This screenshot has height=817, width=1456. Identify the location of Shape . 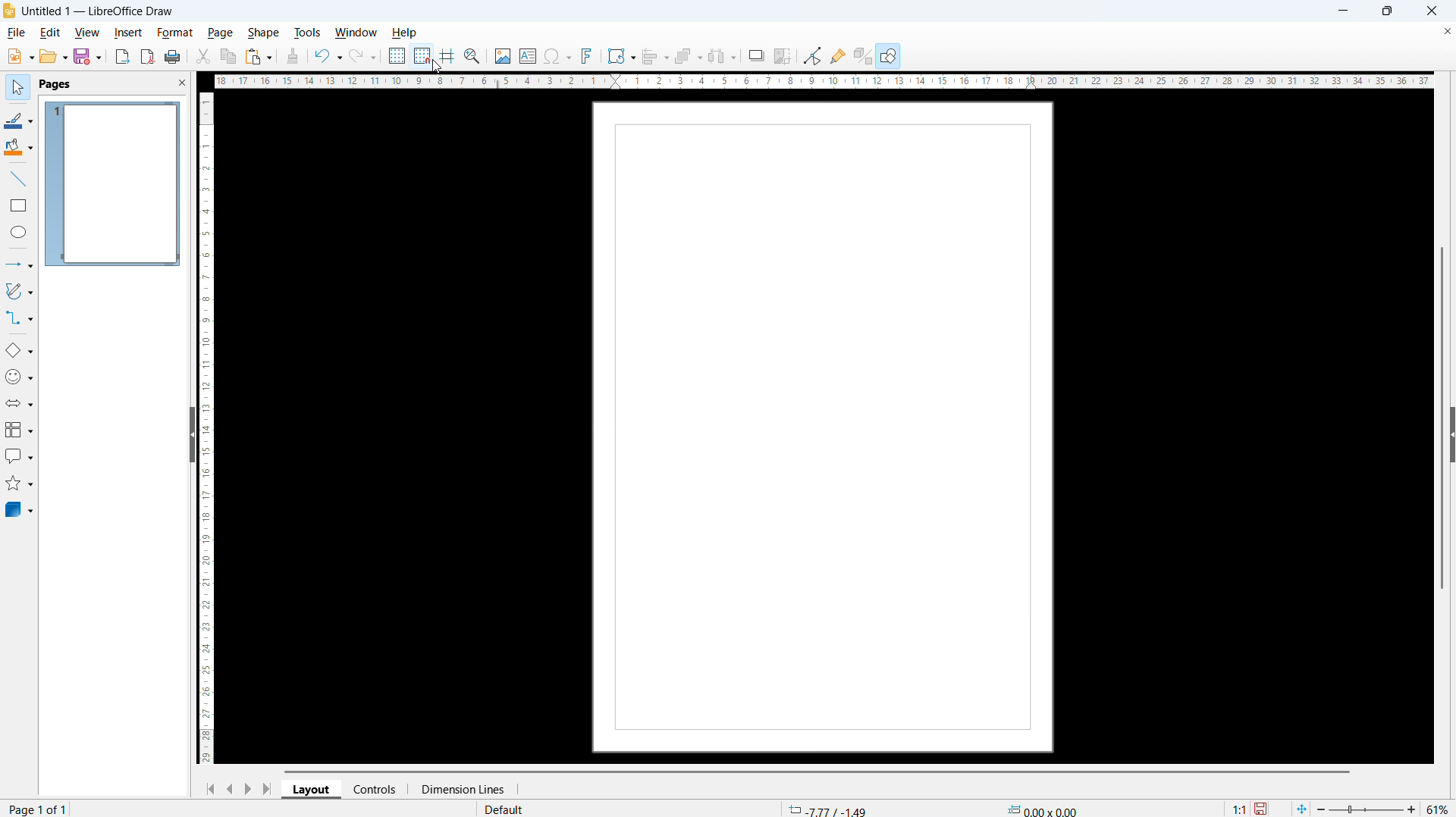
(263, 33).